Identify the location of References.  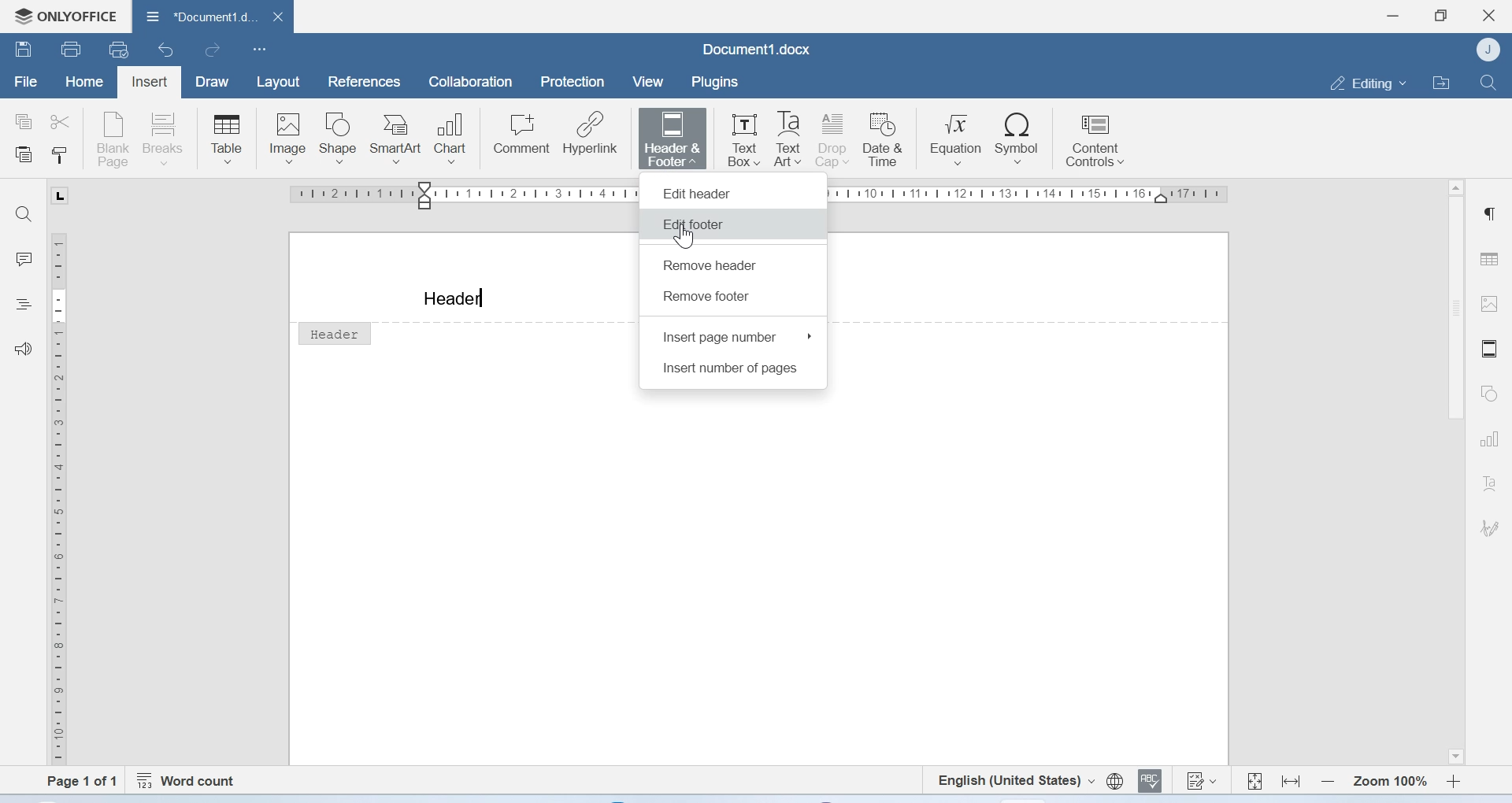
(361, 81).